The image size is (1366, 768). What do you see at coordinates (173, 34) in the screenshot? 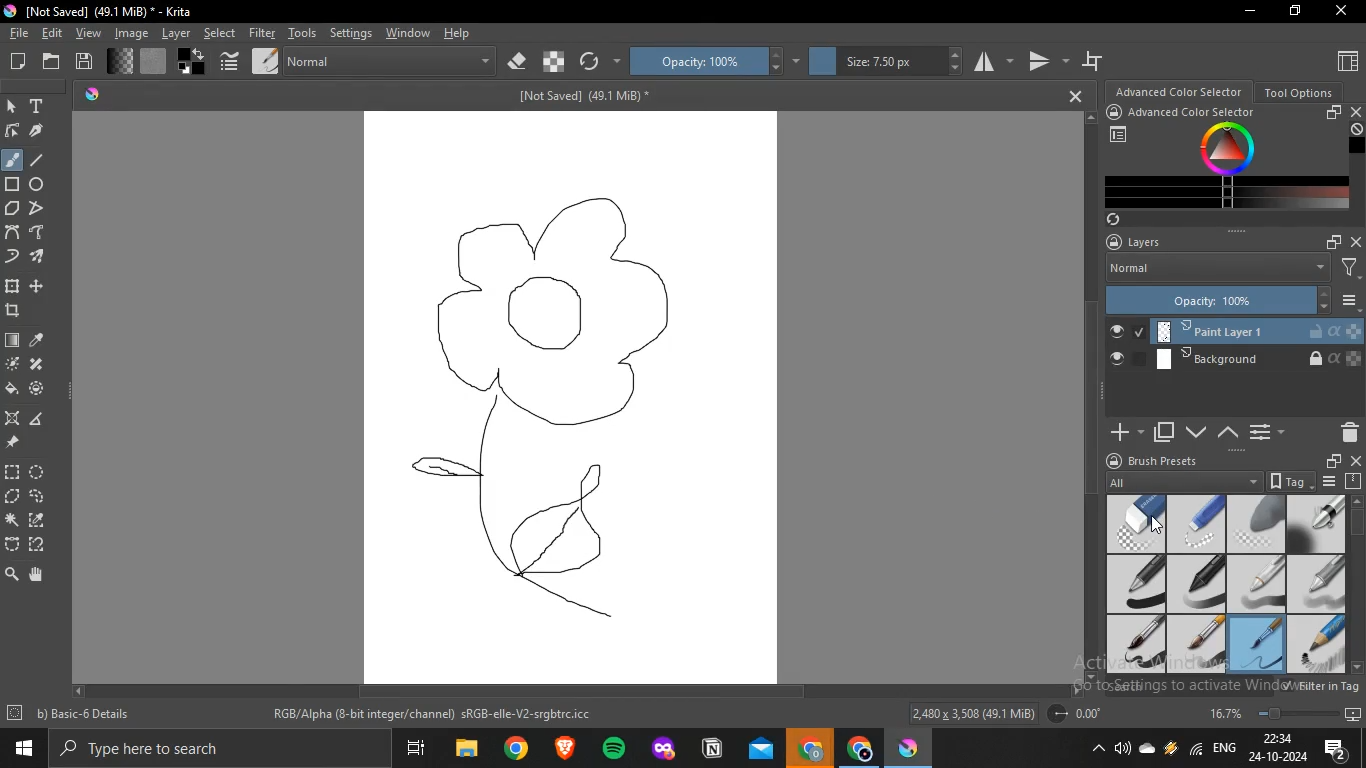
I see `layer` at bounding box center [173, 34].